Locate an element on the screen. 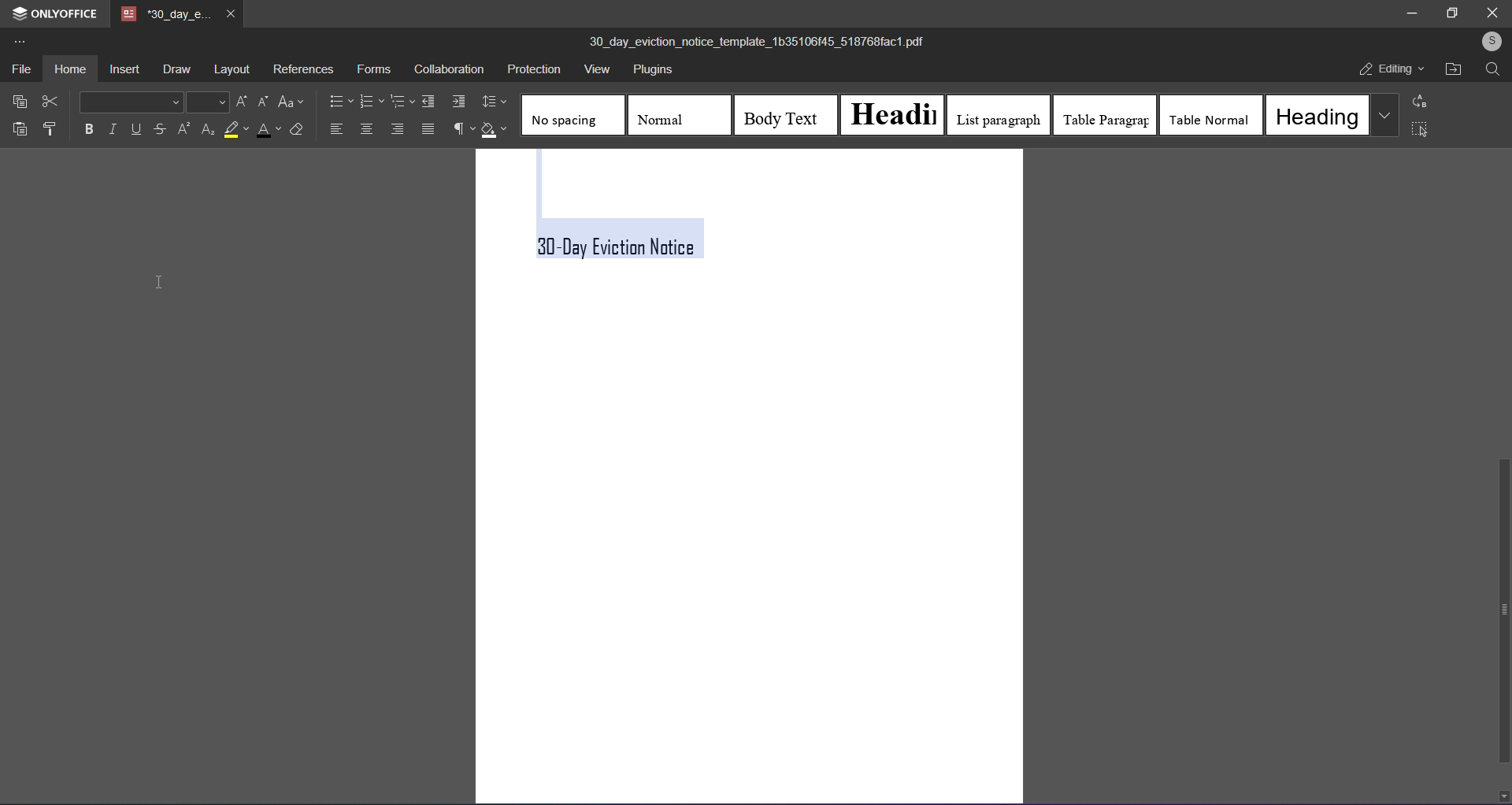 This screenshot has height=805, width=1512. line spacing is located at coordinates (495, 102).